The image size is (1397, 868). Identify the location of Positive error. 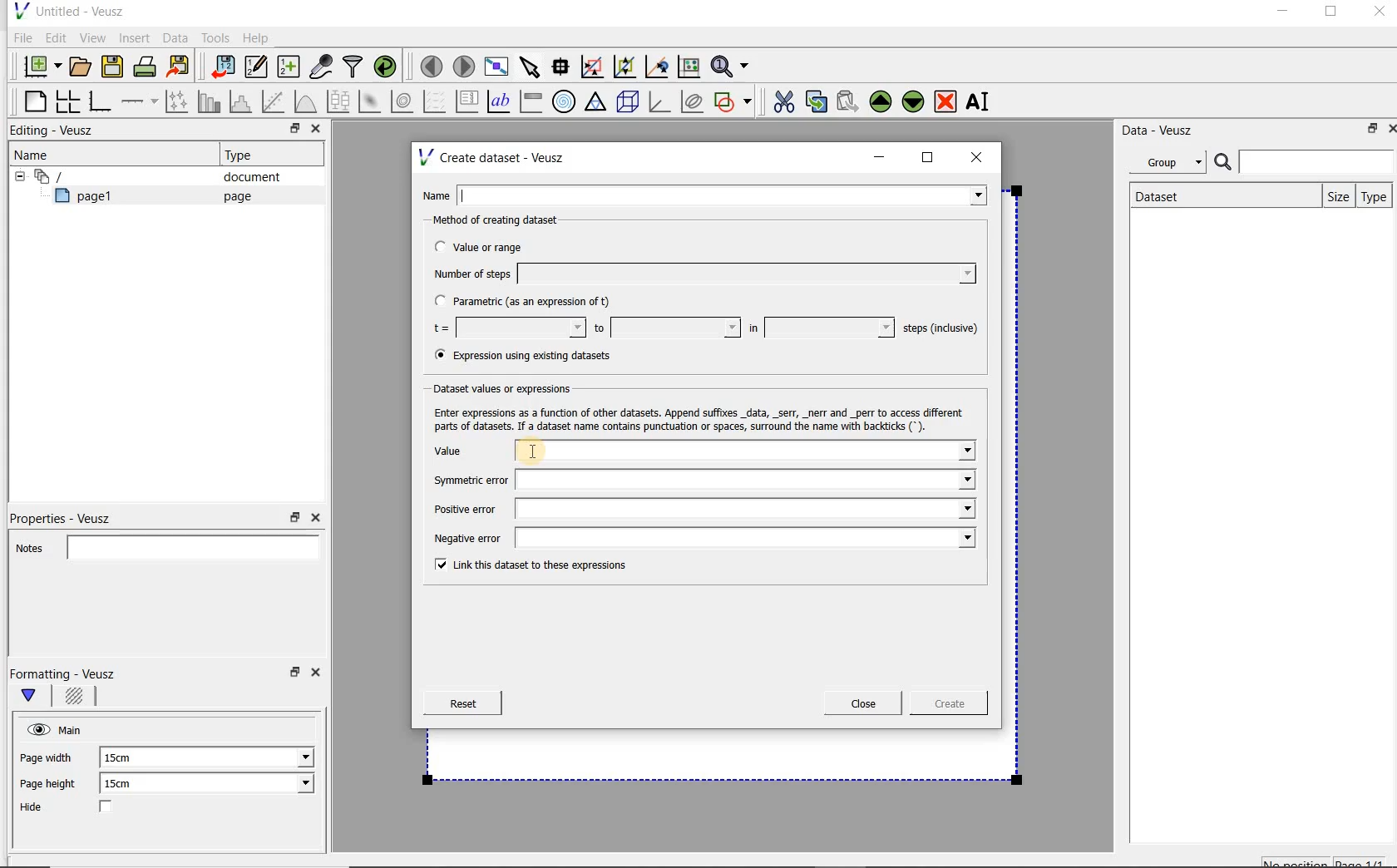
(698, 509).